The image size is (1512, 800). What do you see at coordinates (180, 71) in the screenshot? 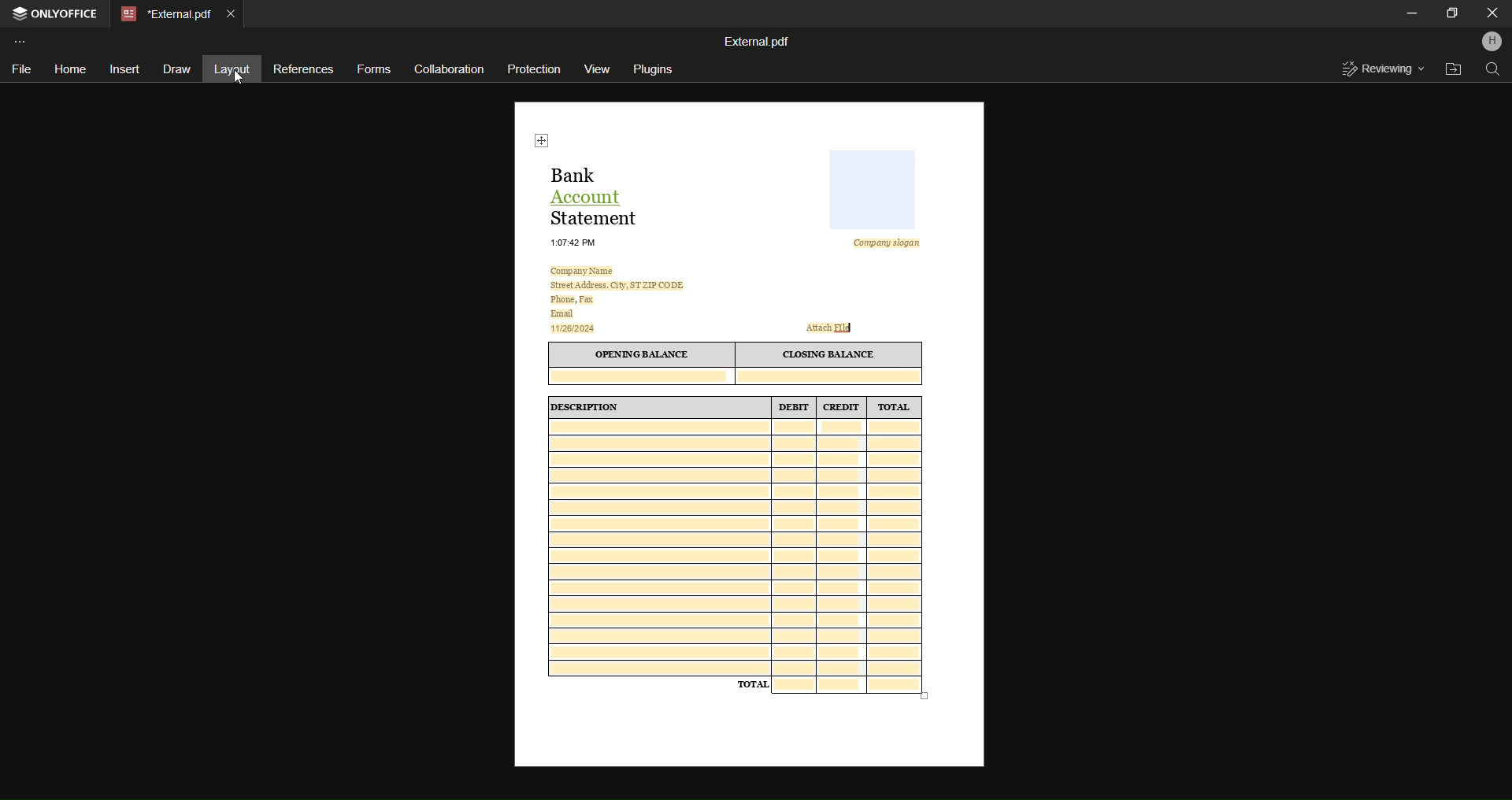
I see `Draw` at bounding box center [180, 71].